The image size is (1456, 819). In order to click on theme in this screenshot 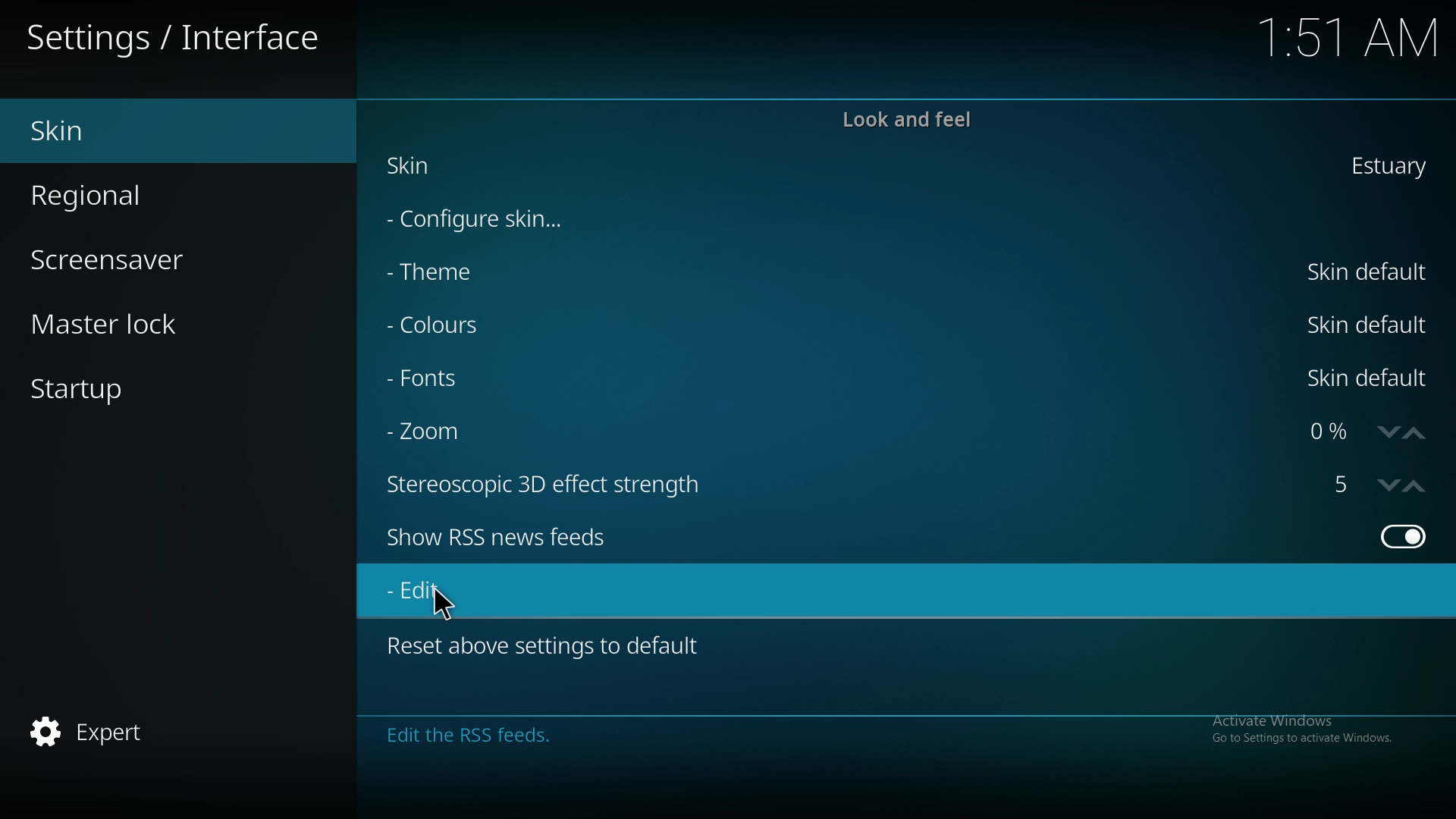, I will do `click(446, 272)`.